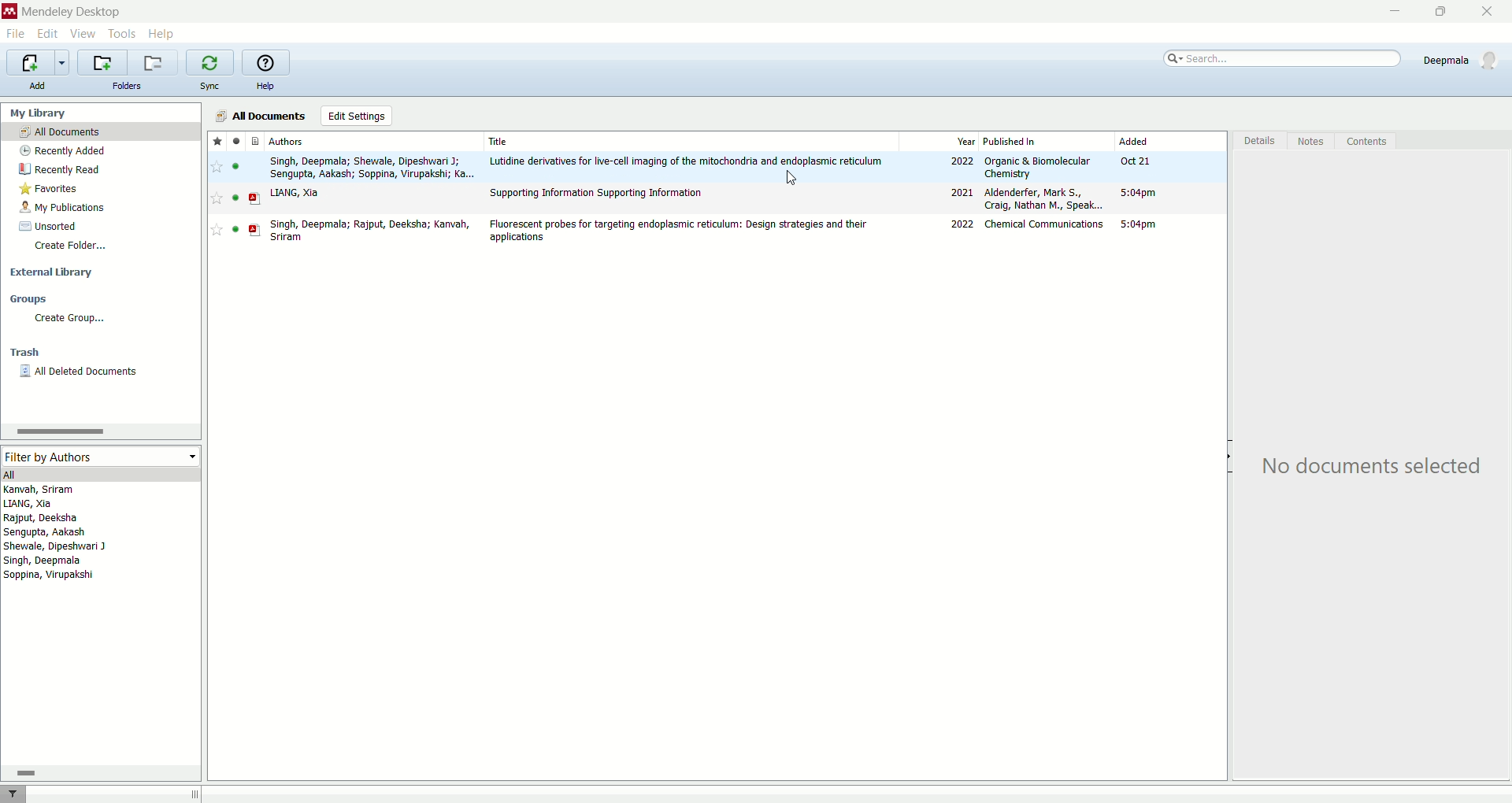  Describe the element at coordinates (217, 229) in the screenshot. I see `favorite` at that location.